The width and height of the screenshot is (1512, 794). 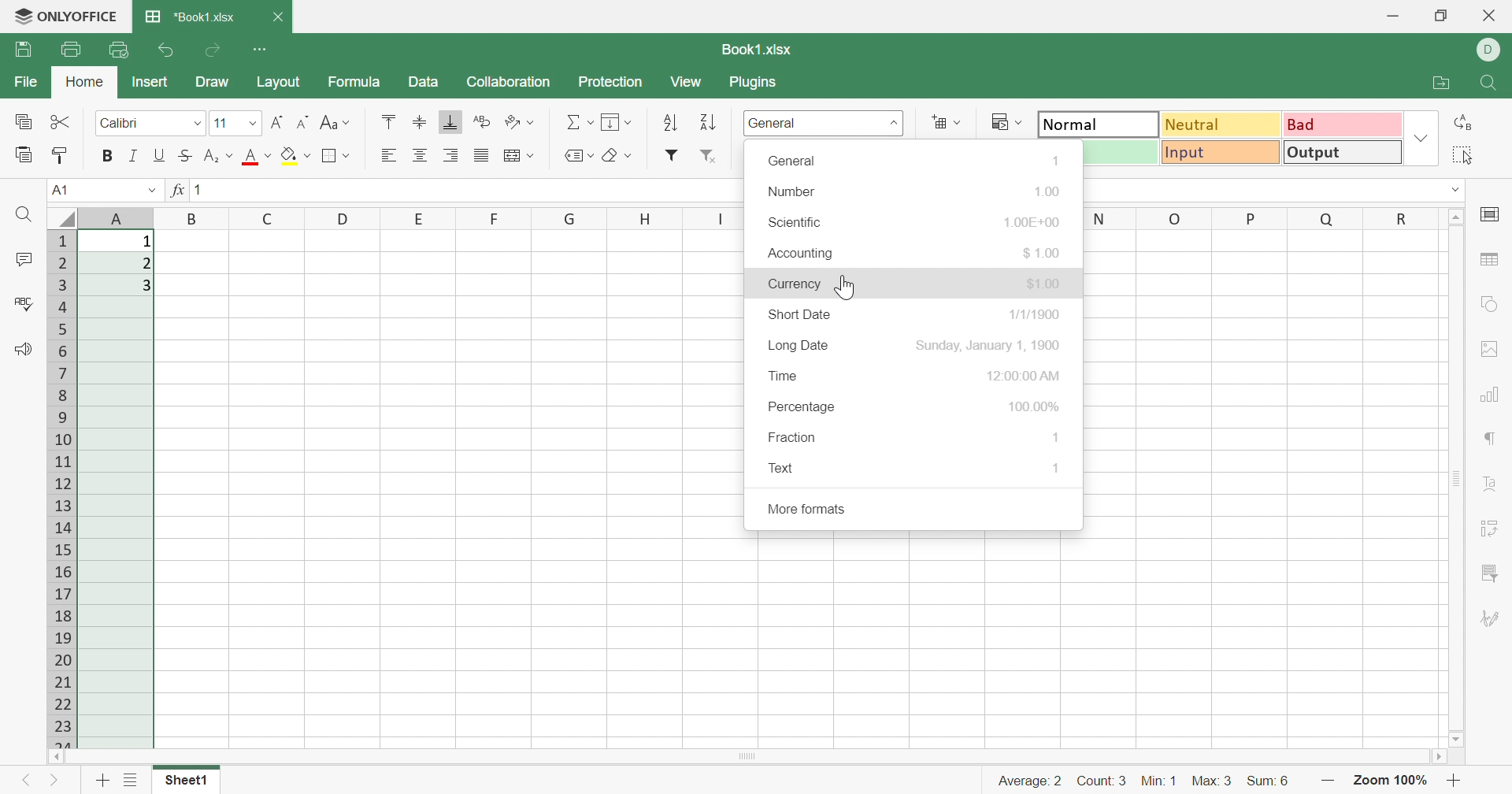 I want to click on Scroll down, so click(x=1456, y=740).